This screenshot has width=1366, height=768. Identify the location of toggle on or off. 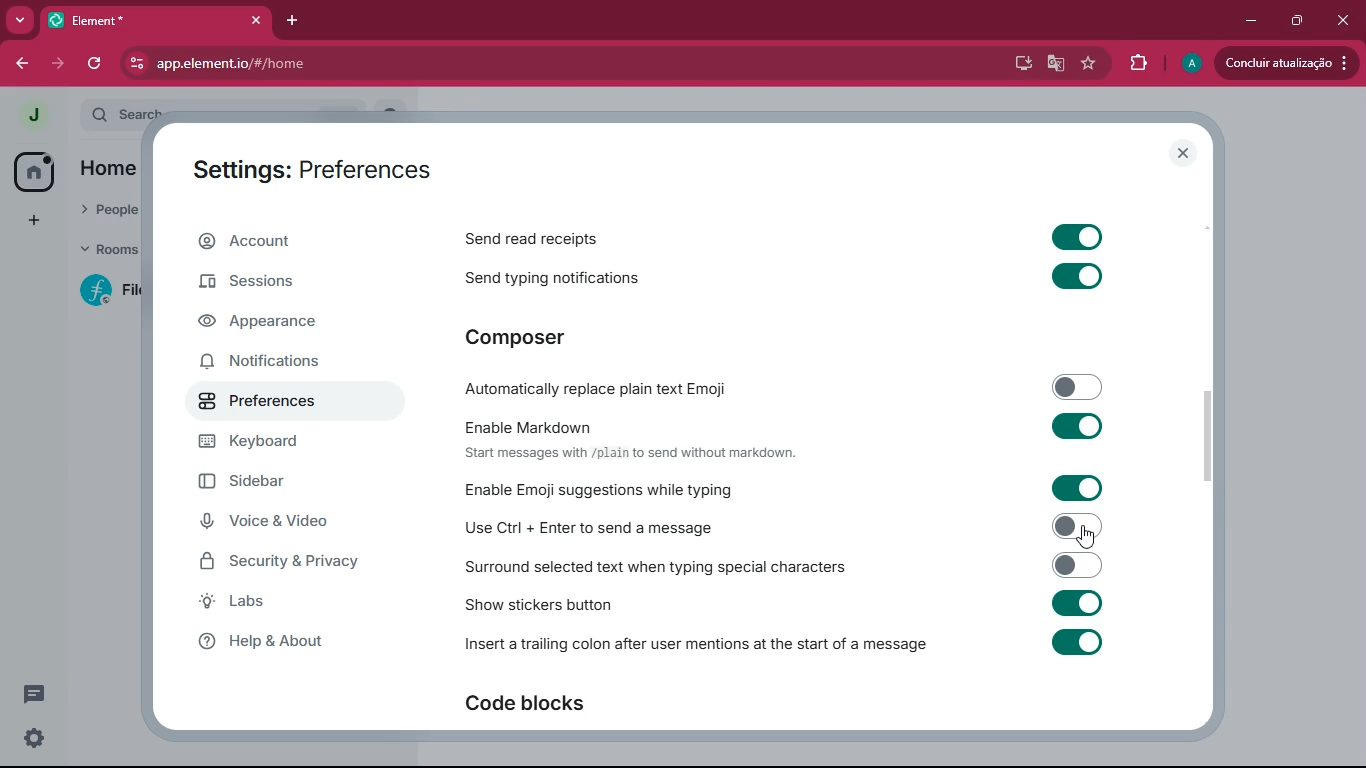
(1071, 525).